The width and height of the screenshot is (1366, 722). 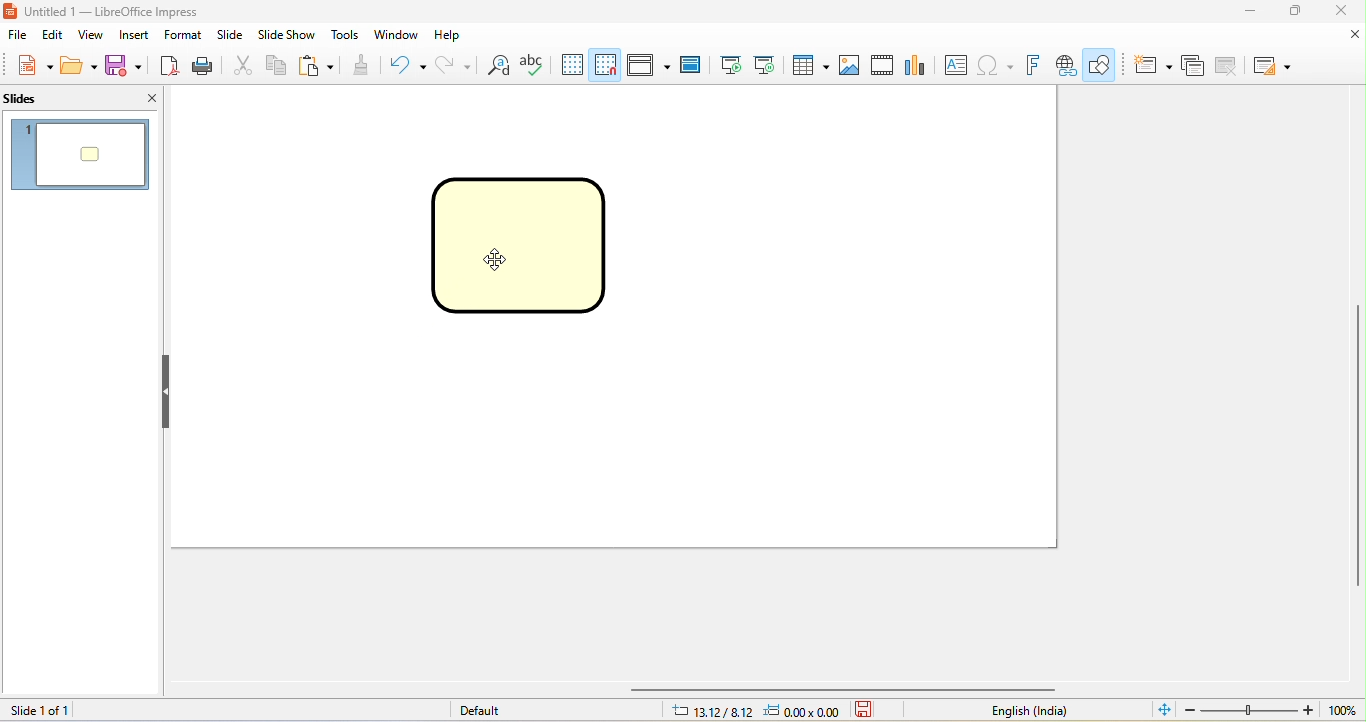 I want to click on view, so click(x=97, y=34).